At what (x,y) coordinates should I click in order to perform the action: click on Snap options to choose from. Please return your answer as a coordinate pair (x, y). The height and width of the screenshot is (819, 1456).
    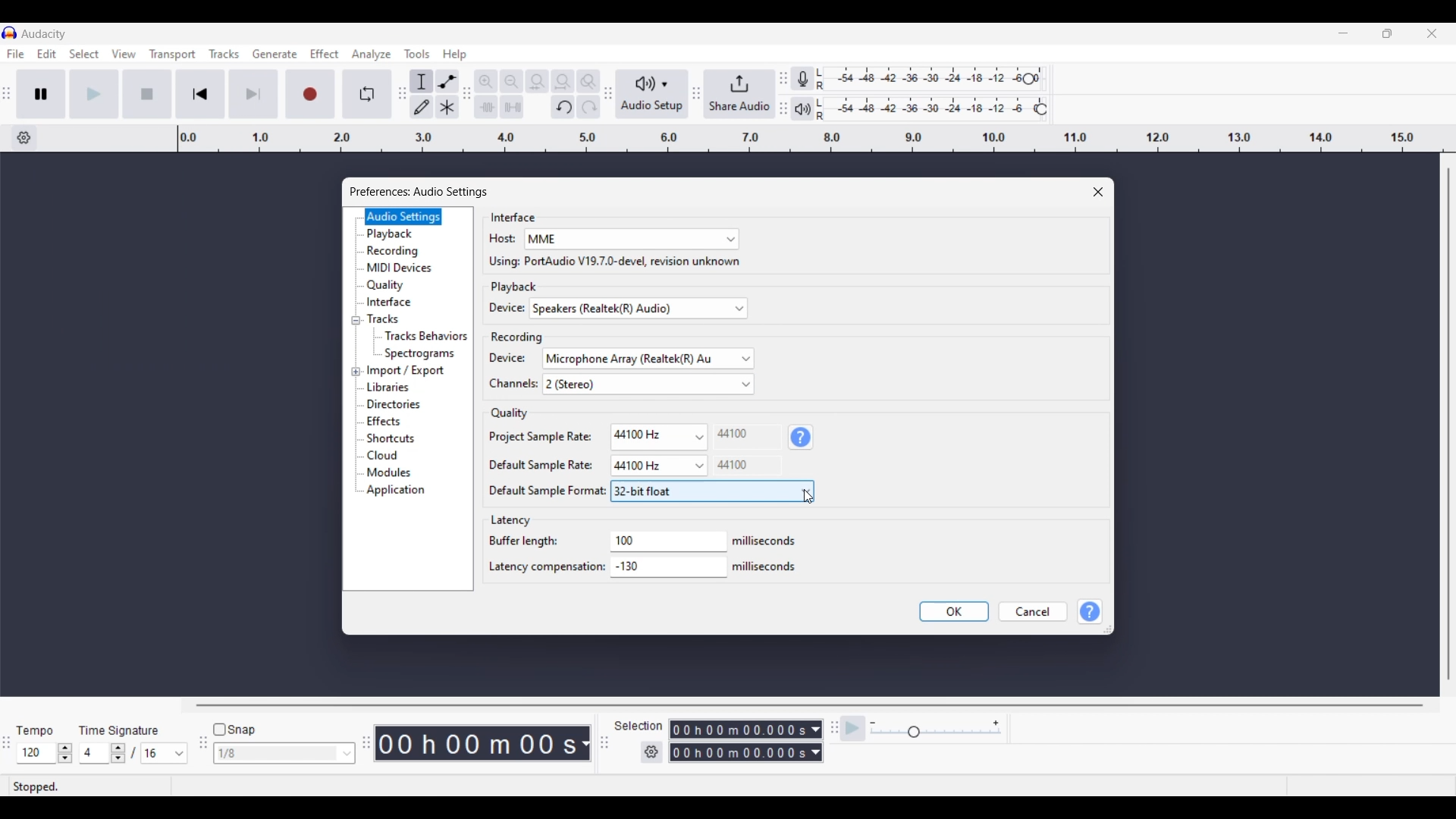
    Looking at the image, I should click on (348, 754).